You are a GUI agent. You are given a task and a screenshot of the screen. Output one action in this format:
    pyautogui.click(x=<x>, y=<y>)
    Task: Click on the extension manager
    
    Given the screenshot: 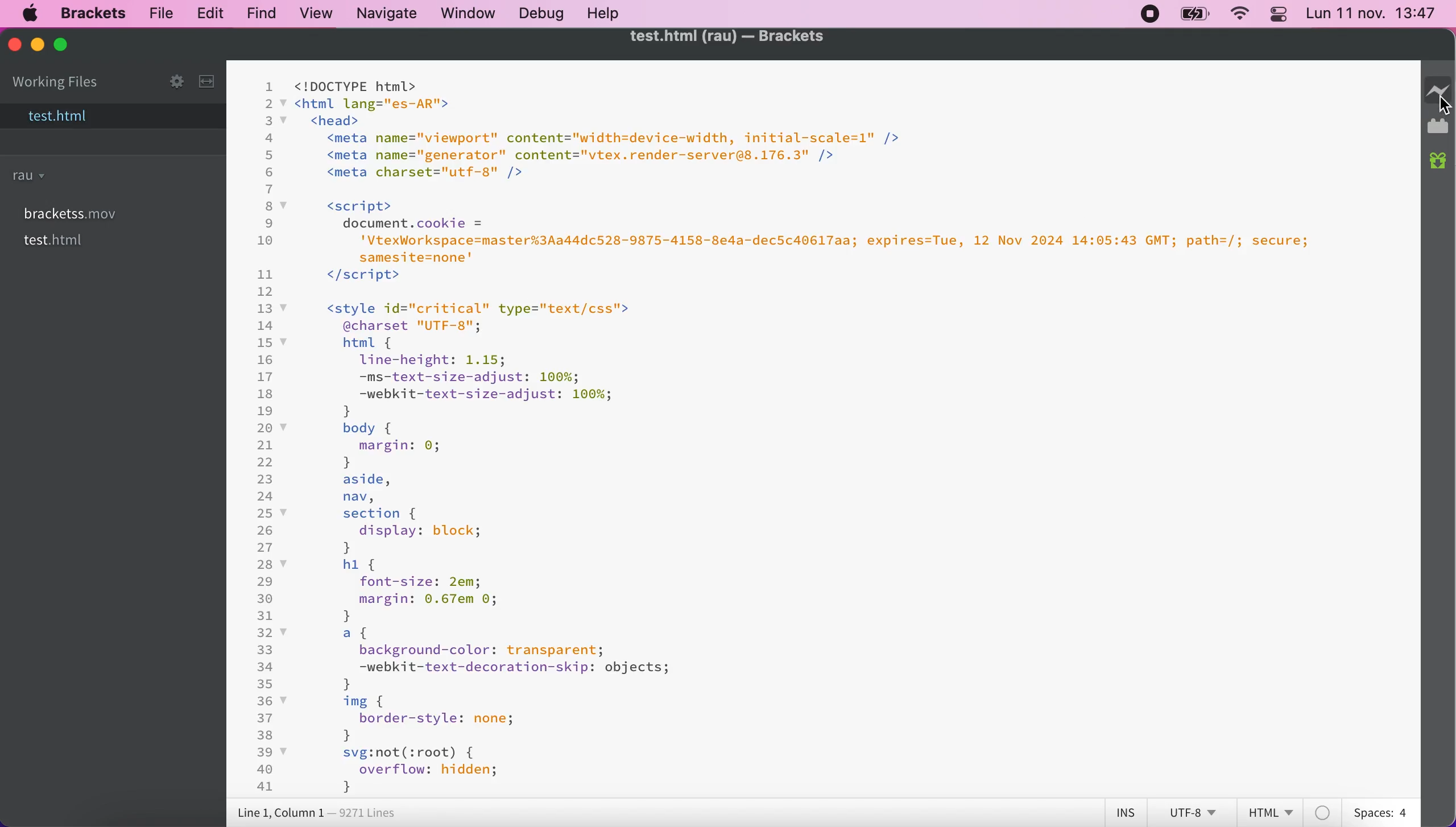 What is the action you would take?
    pyautogui.click(x=1440, y=126)
    